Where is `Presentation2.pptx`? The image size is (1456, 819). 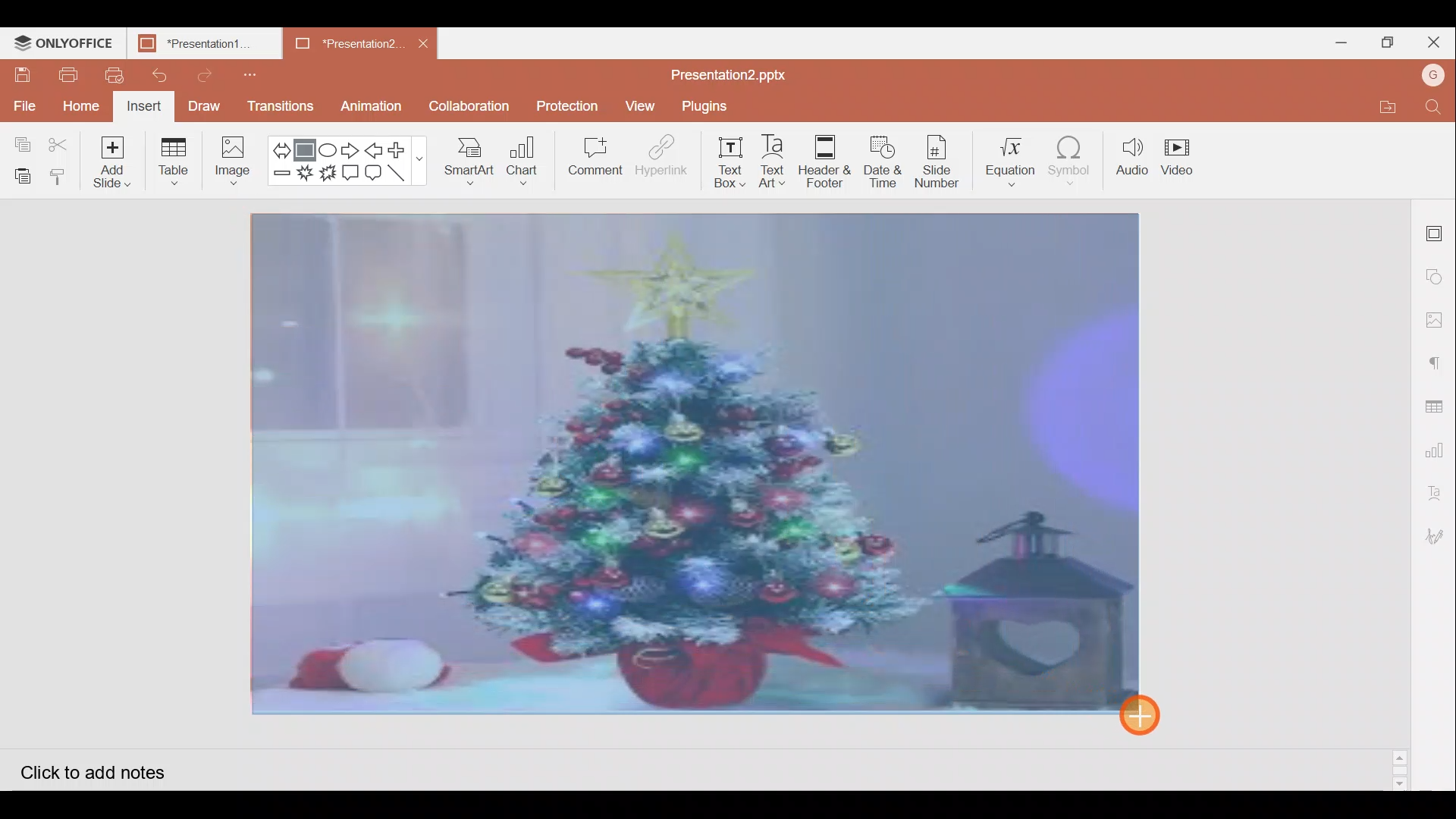 Presentation2.pptx is located at coordinates (740, 72).